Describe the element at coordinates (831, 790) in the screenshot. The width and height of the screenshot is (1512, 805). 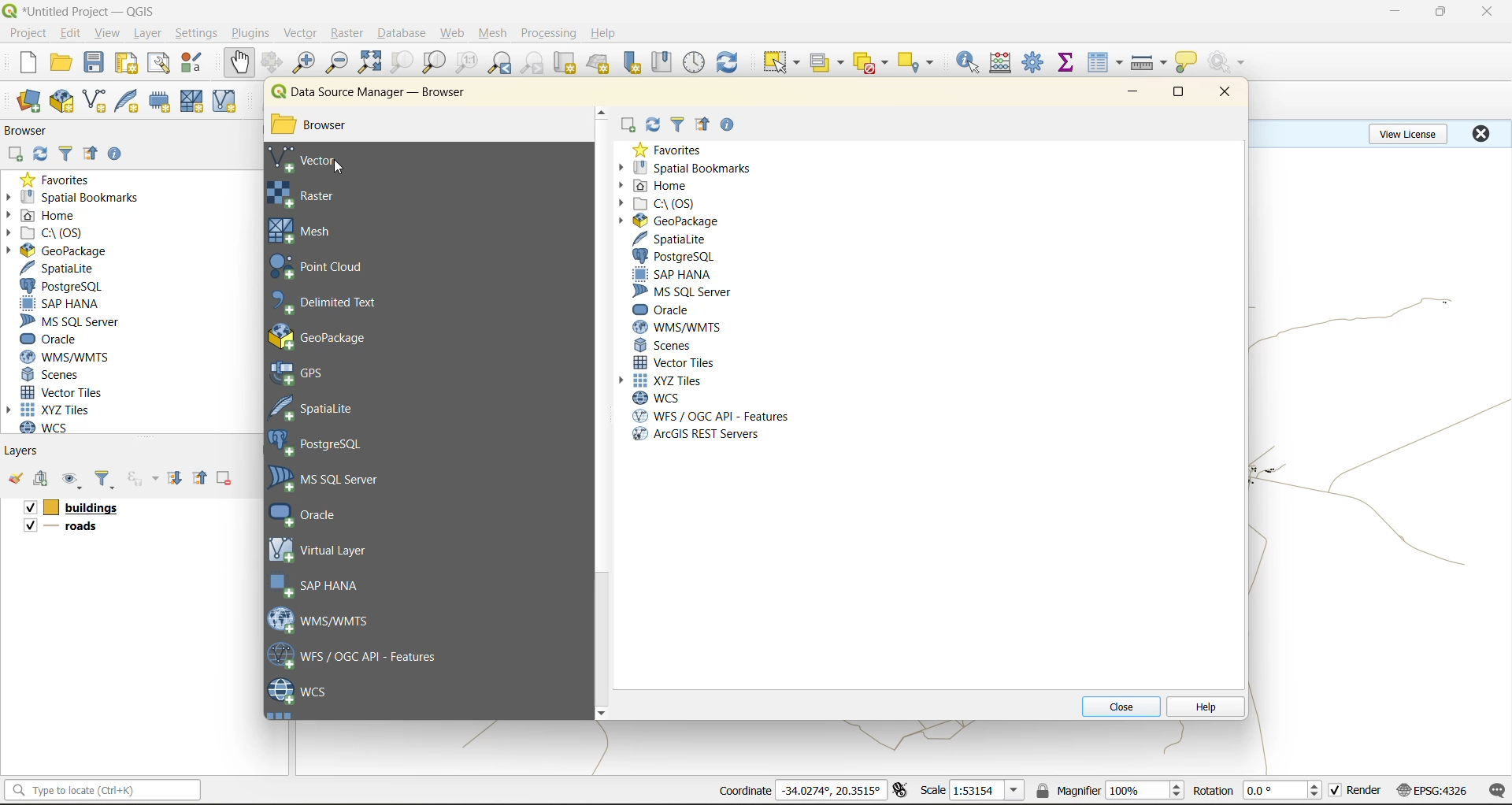
I see `coordinates` at that location.